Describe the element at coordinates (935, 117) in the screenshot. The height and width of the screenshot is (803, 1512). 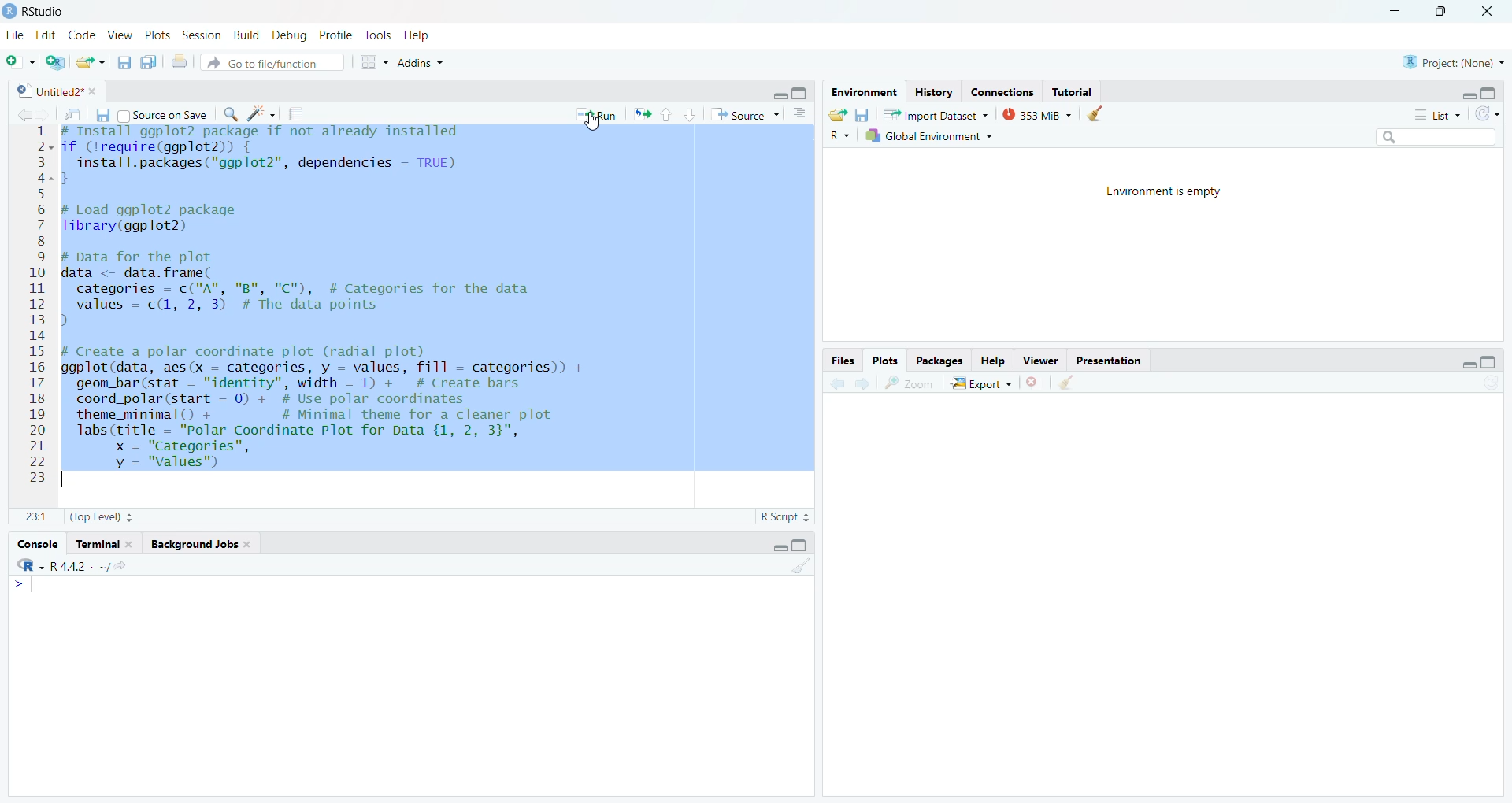
I see ` Import Dataset ~` at that location.